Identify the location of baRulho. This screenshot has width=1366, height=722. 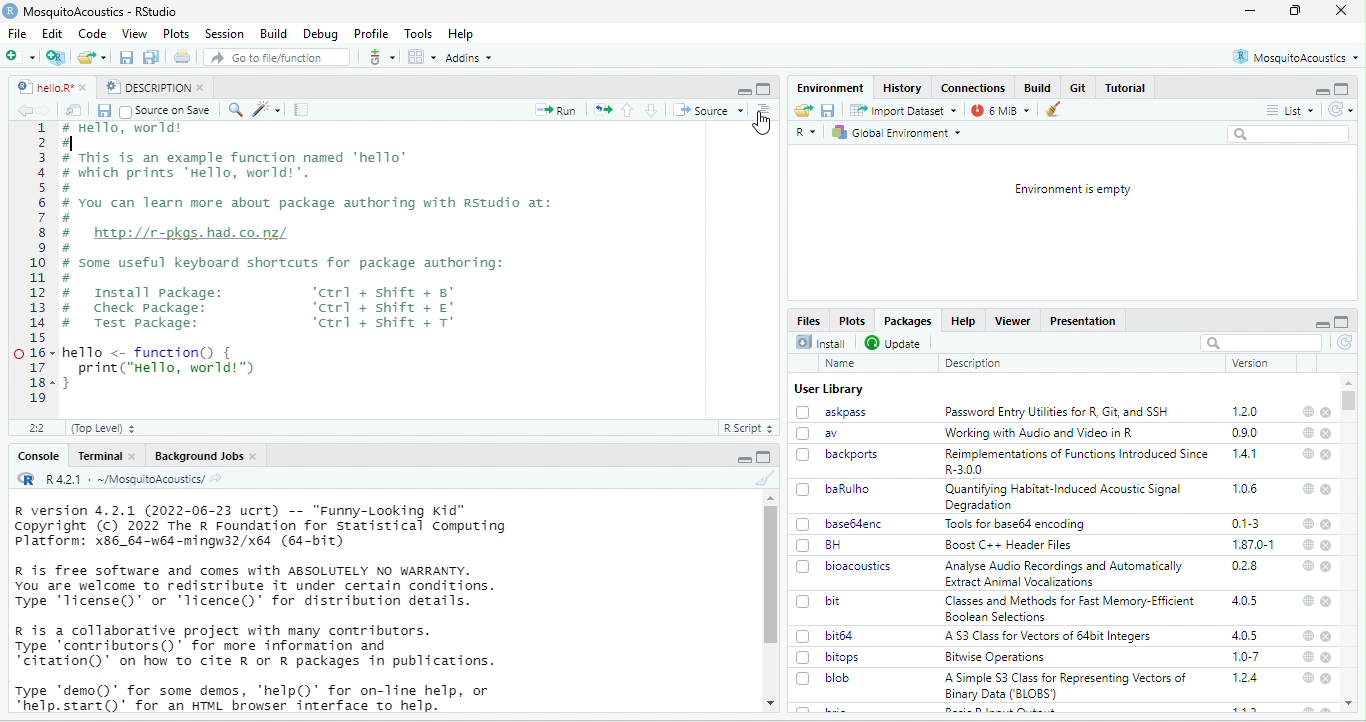
(832, 488).